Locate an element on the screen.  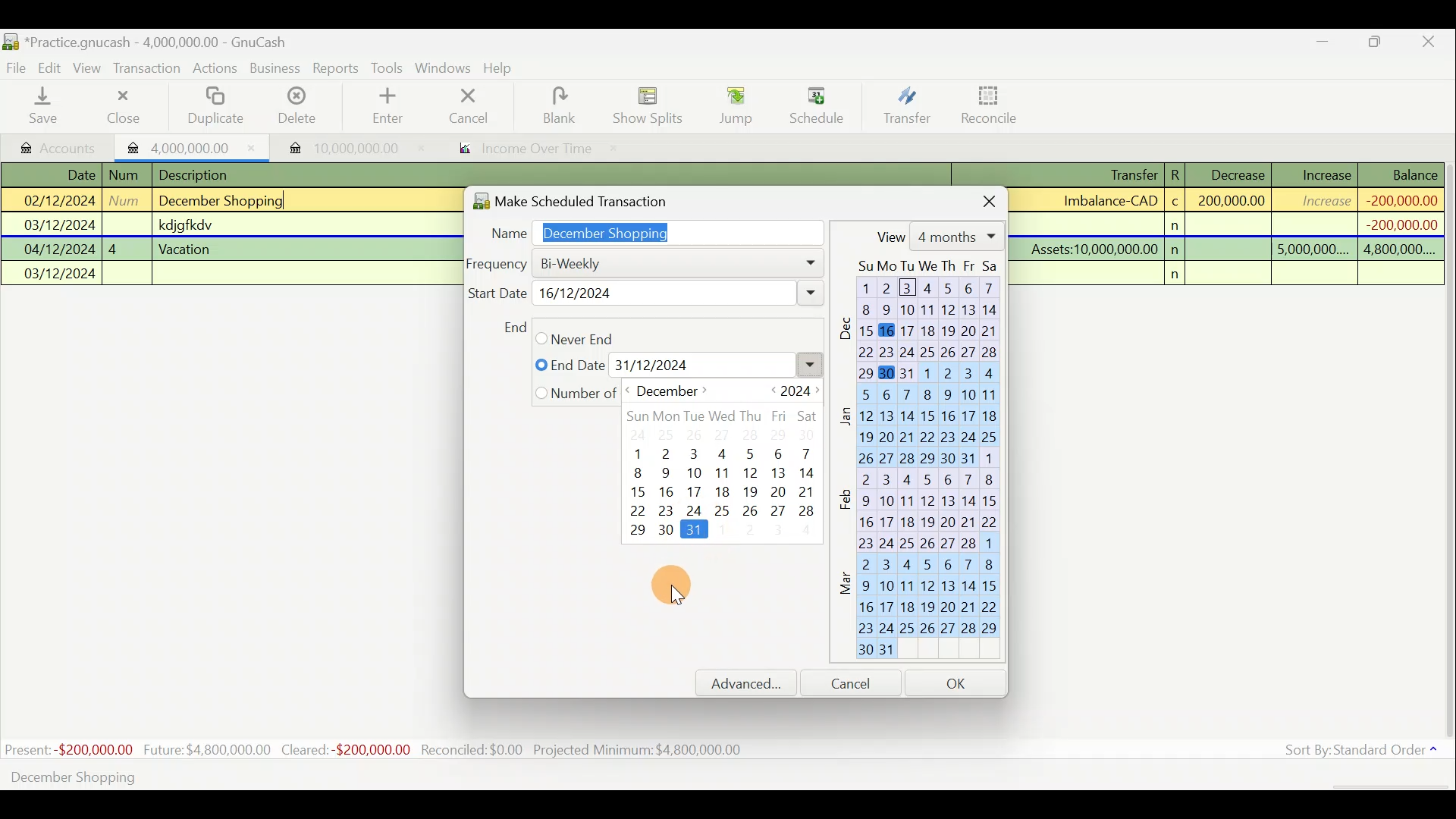
Name is located at coordinates (649, 230).